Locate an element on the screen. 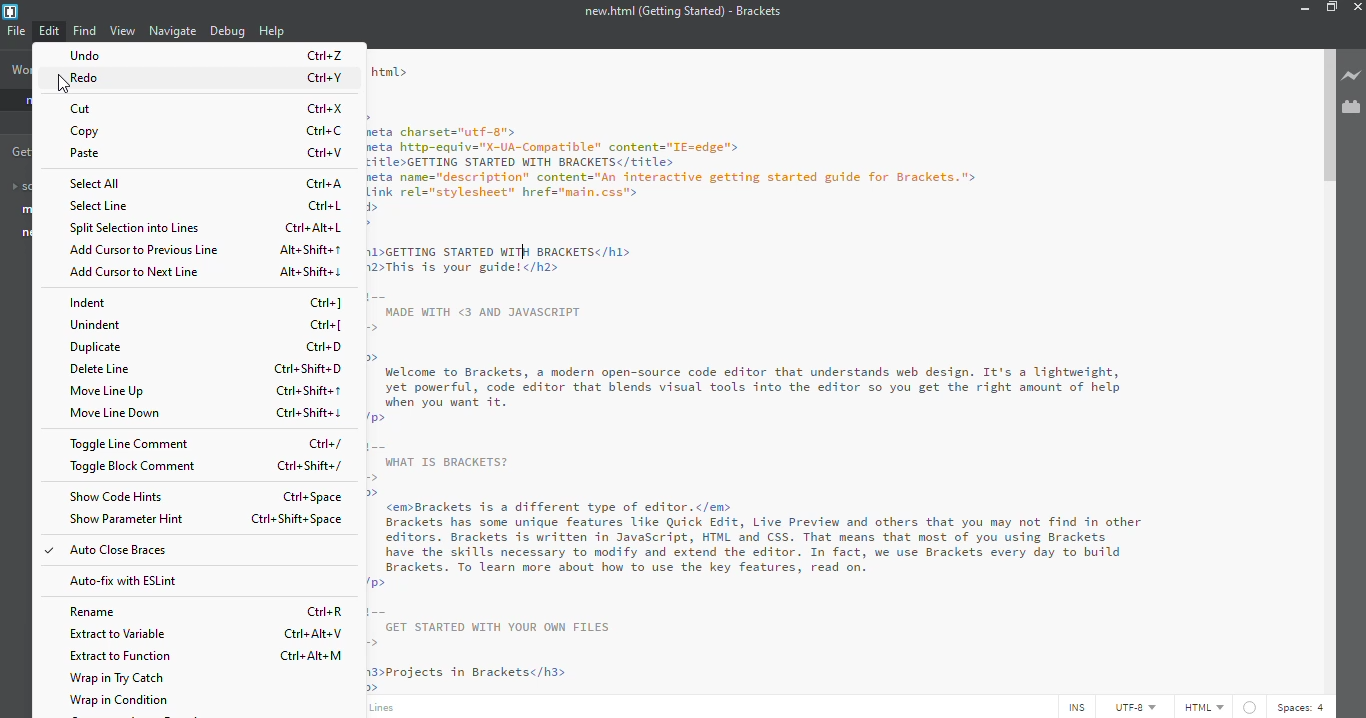 This screenshot has width=1366, height=718. extract to variable is located at coordinates (122, 634).